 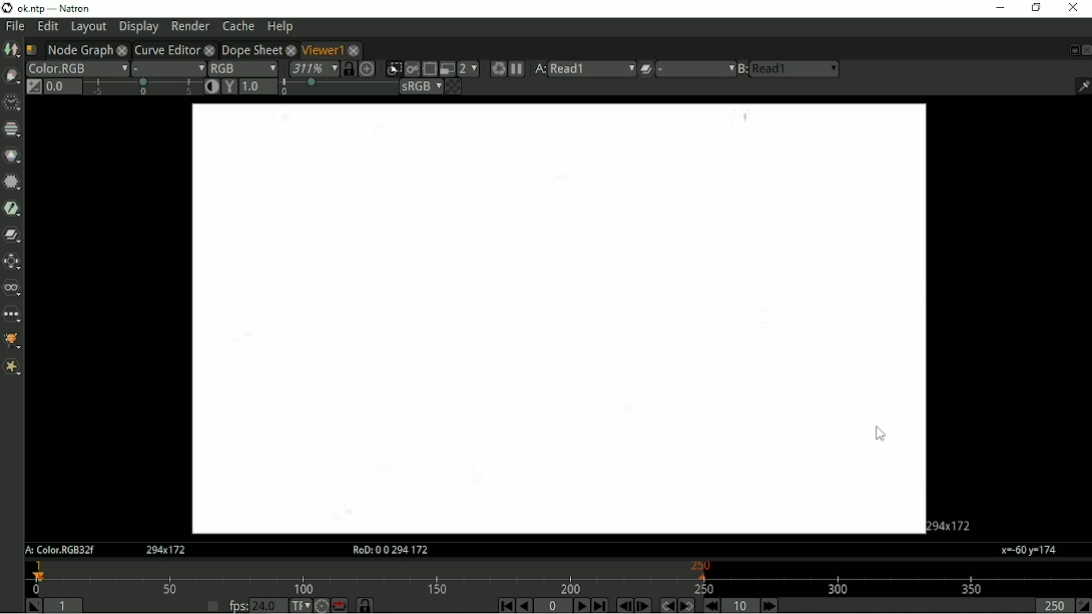 I want to click on Aspect, so click(x=952, y=525).